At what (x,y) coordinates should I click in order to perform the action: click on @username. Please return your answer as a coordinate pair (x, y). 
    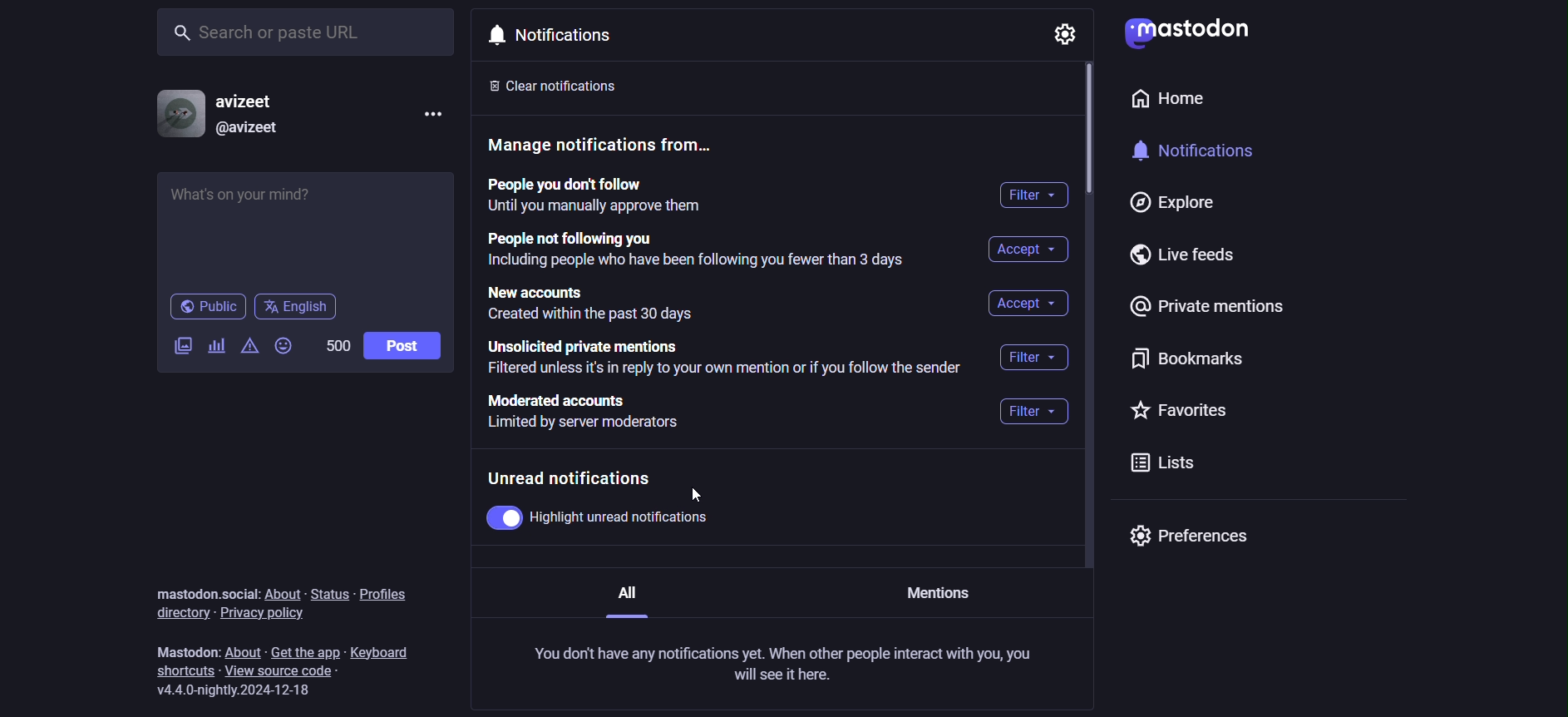
    Looking at the image, I should click on (254, 132).